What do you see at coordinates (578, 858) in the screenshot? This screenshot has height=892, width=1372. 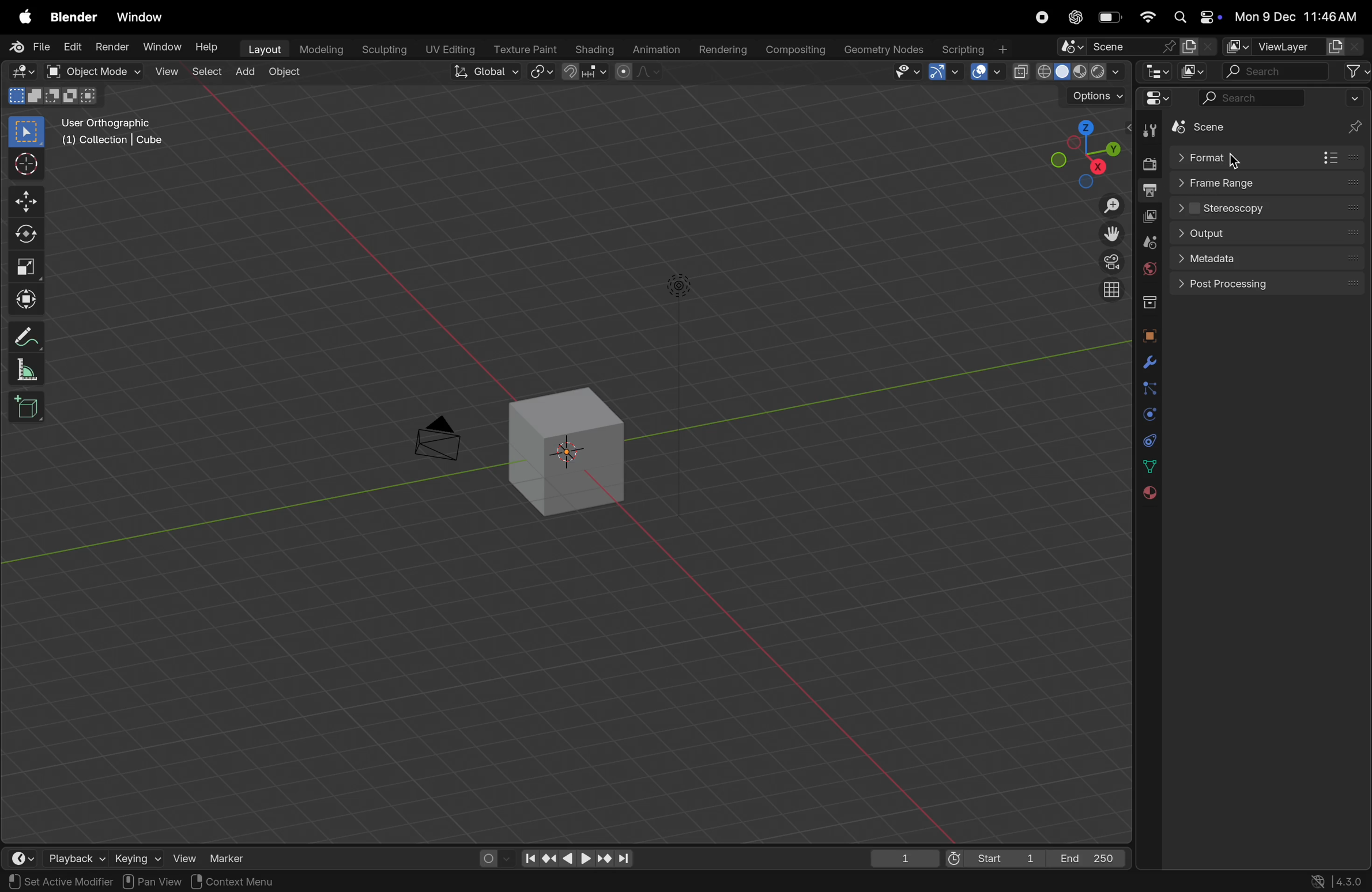 I see `playback controls` at bounding box center [578, 858].